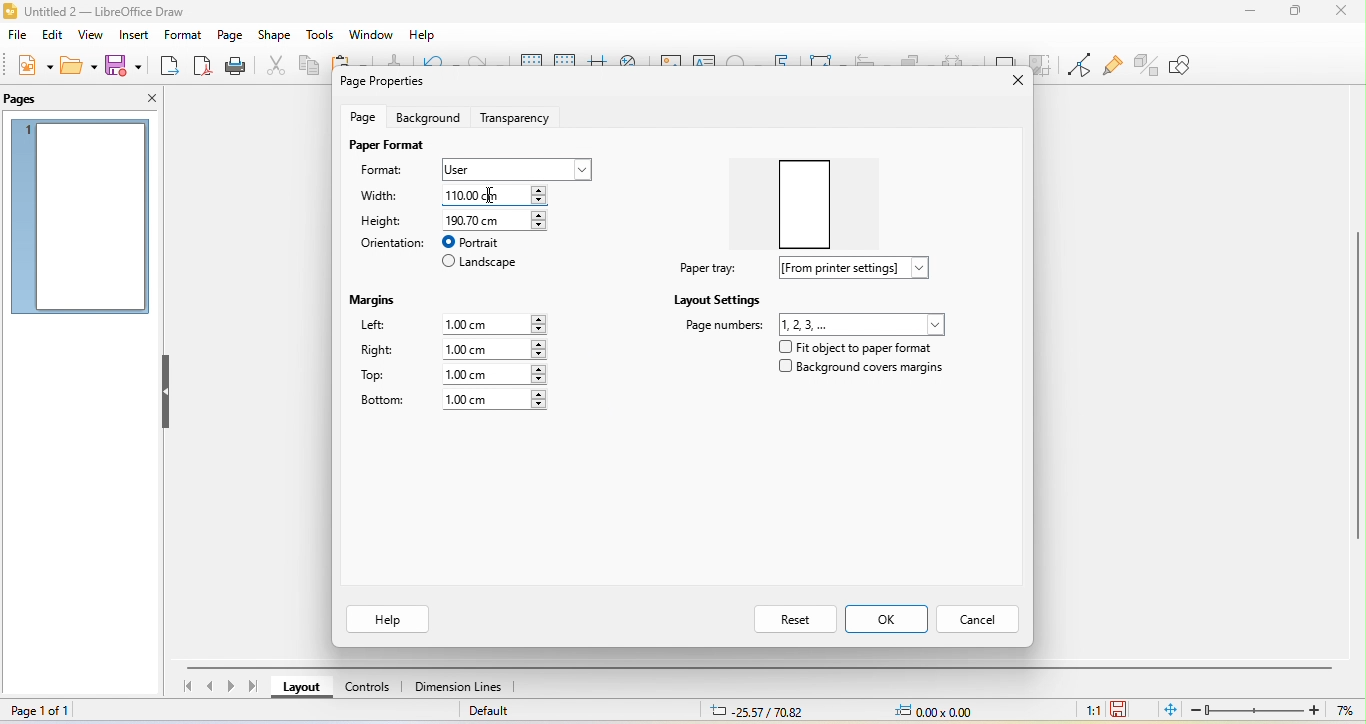 The image size is (1366, 724). I want to click on cut, so click(272, 65).